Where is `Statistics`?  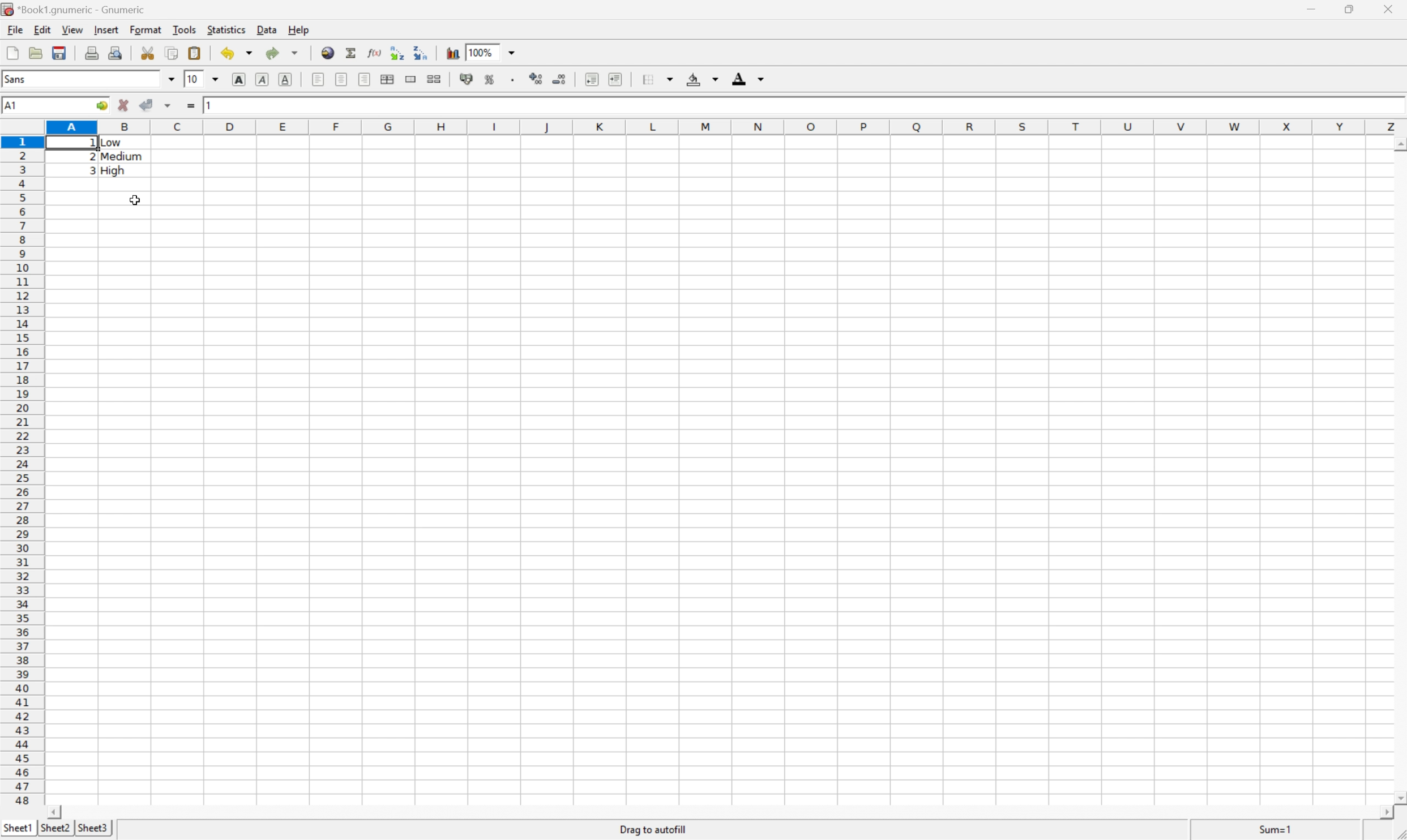 Statistics is located at coordinates (227, 28).